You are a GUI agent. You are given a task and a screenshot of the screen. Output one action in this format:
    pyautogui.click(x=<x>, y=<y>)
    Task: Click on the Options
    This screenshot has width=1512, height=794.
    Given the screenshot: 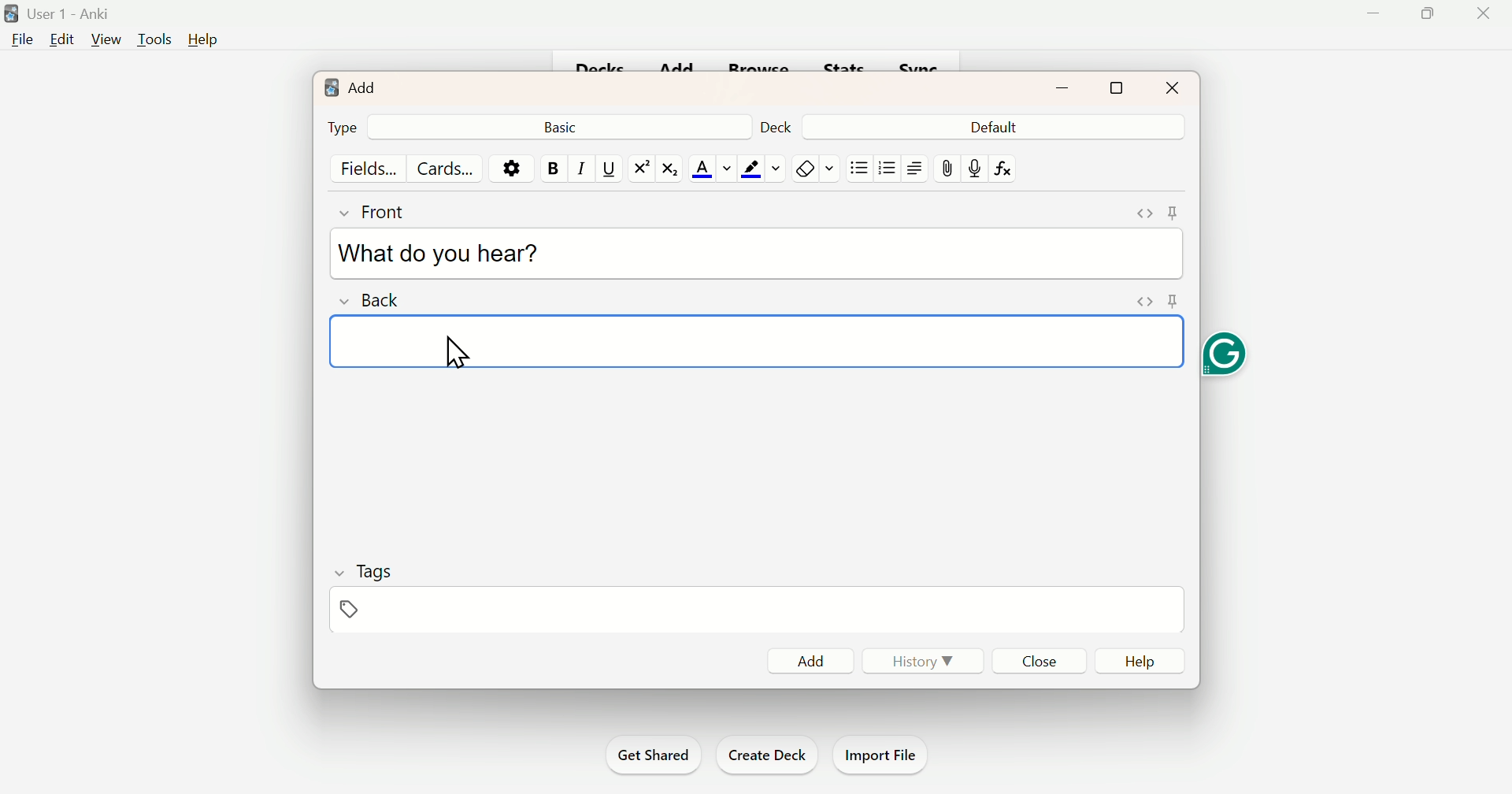 What is the action you would take?
    pyautogui.click(x=508, y=169)
    